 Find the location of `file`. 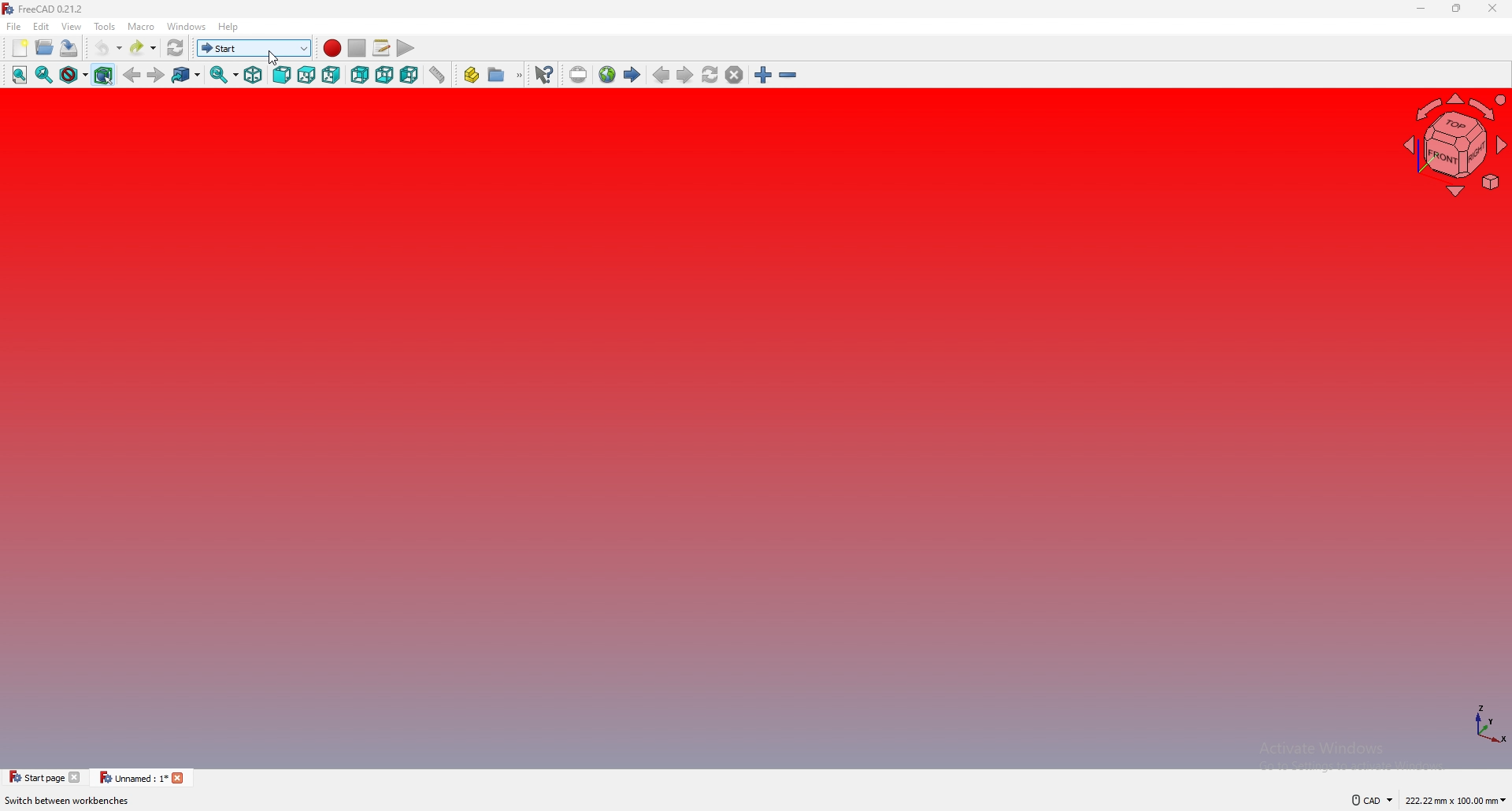

file is located at coordinates (14, 26).